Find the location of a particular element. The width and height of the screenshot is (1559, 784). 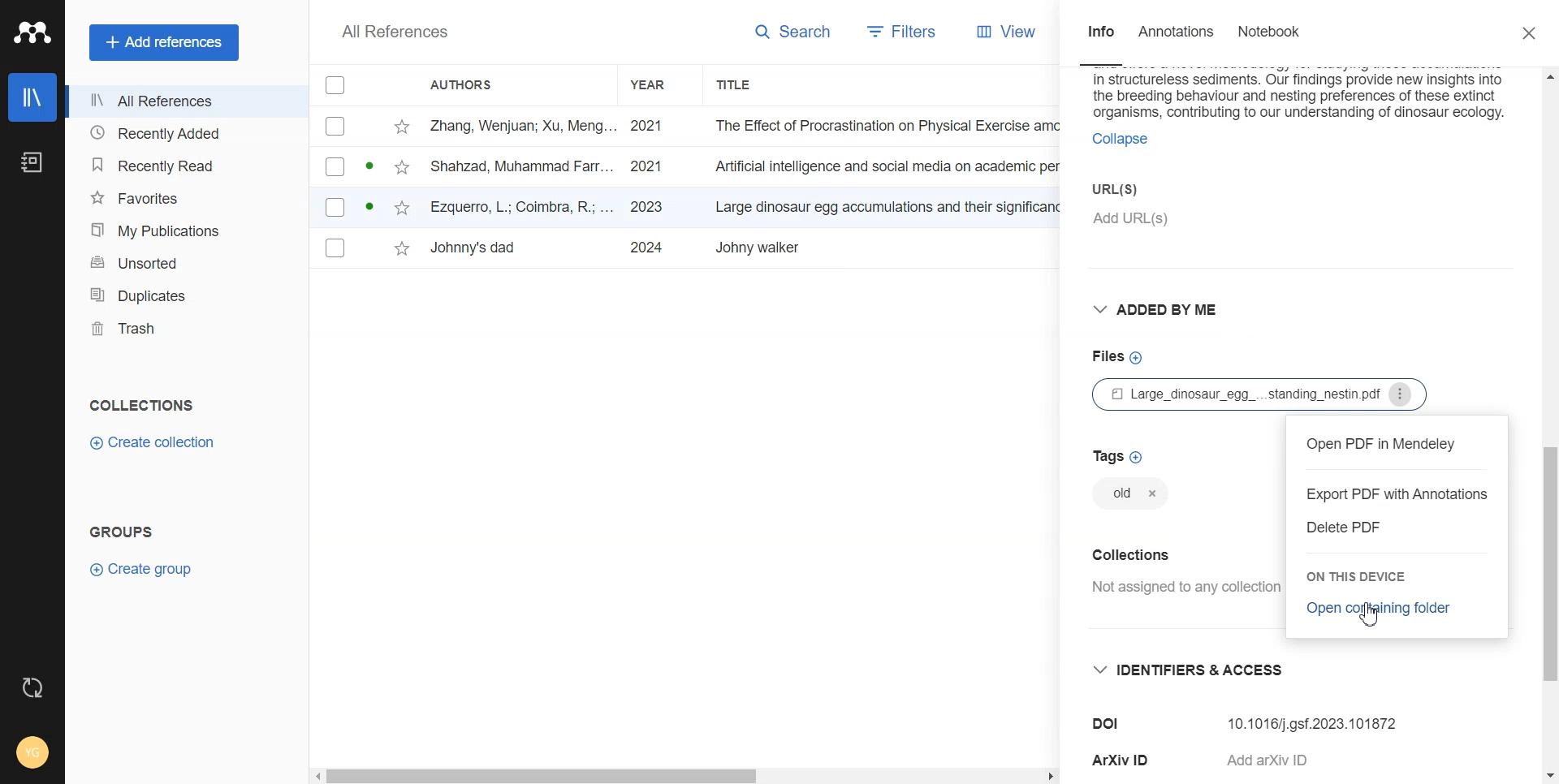

(un)select is located at coordinates (334, 127).